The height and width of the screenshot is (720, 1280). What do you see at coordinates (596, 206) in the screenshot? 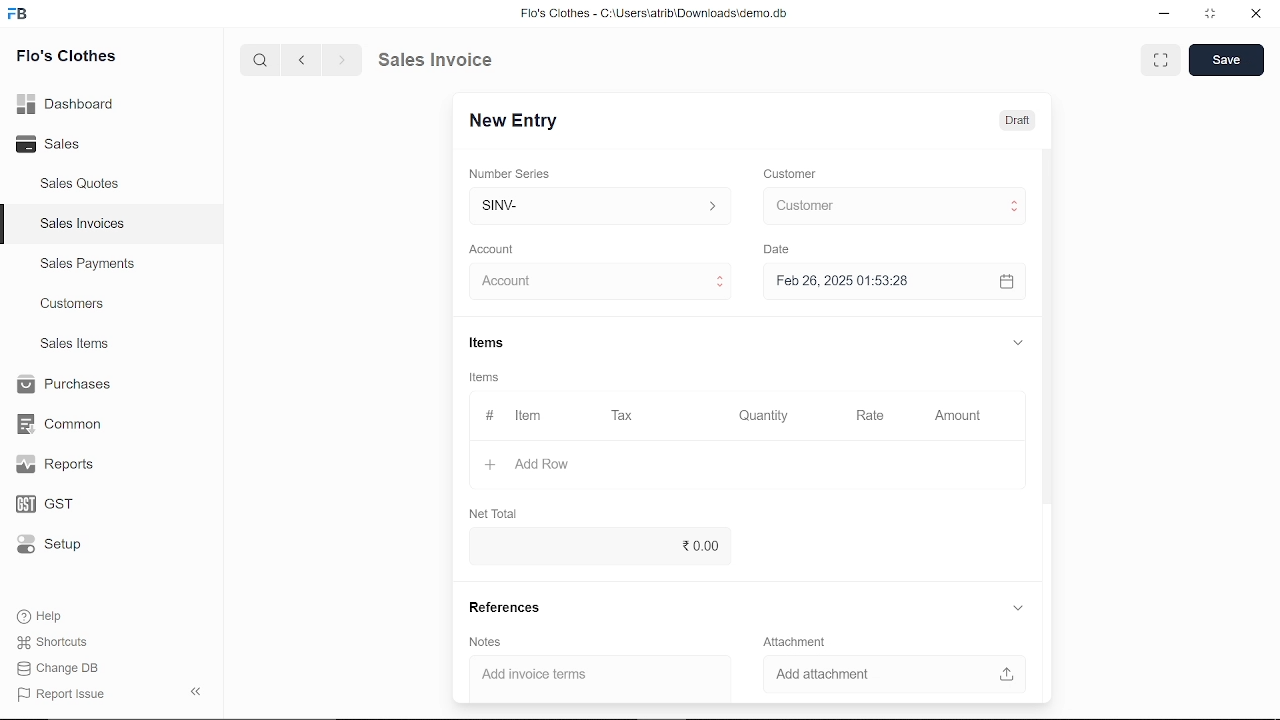
I see `SINV- ` at bounding box center [596, 206].